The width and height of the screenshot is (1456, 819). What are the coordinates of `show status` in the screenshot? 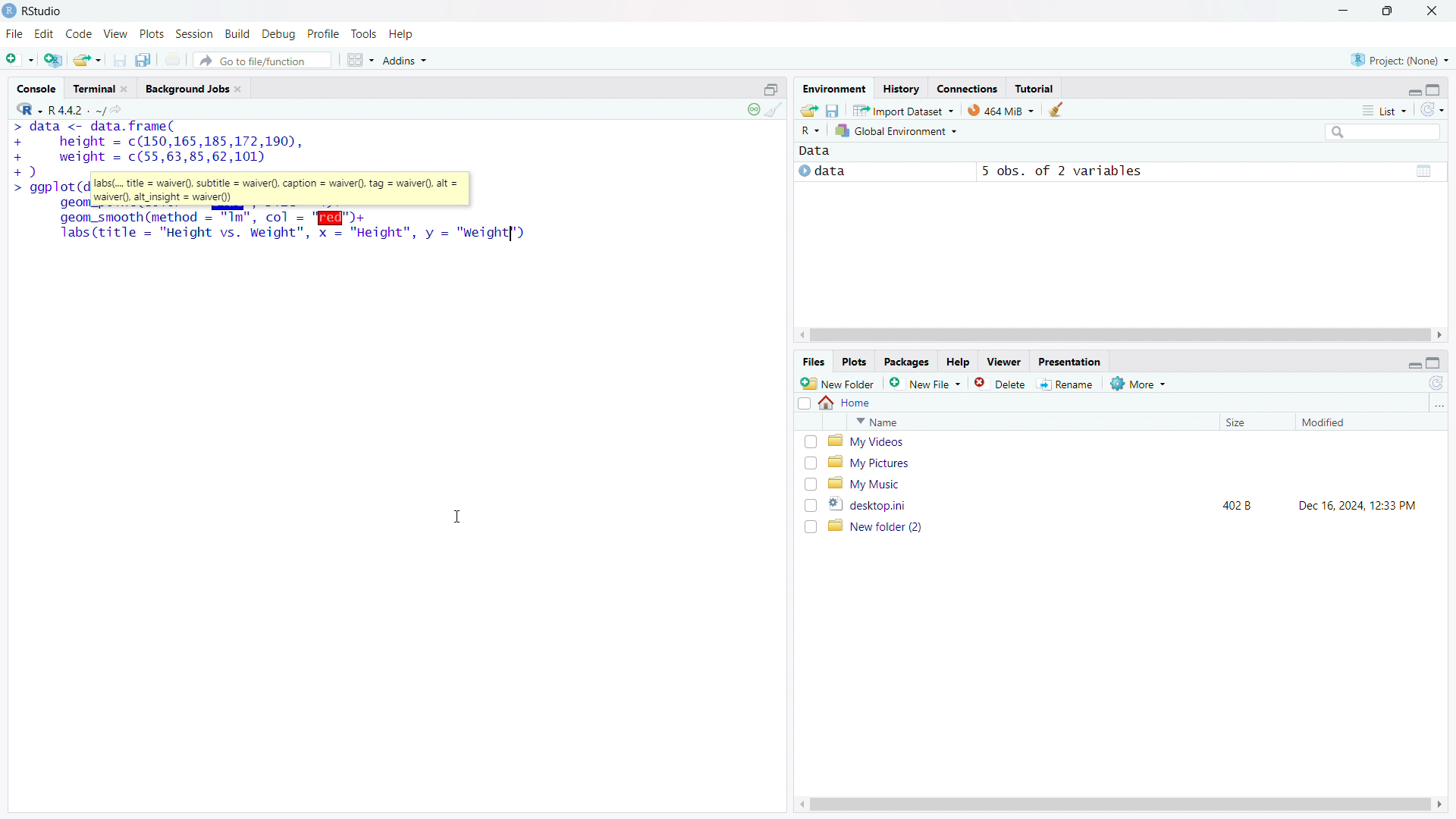 It's located at (753, 109).